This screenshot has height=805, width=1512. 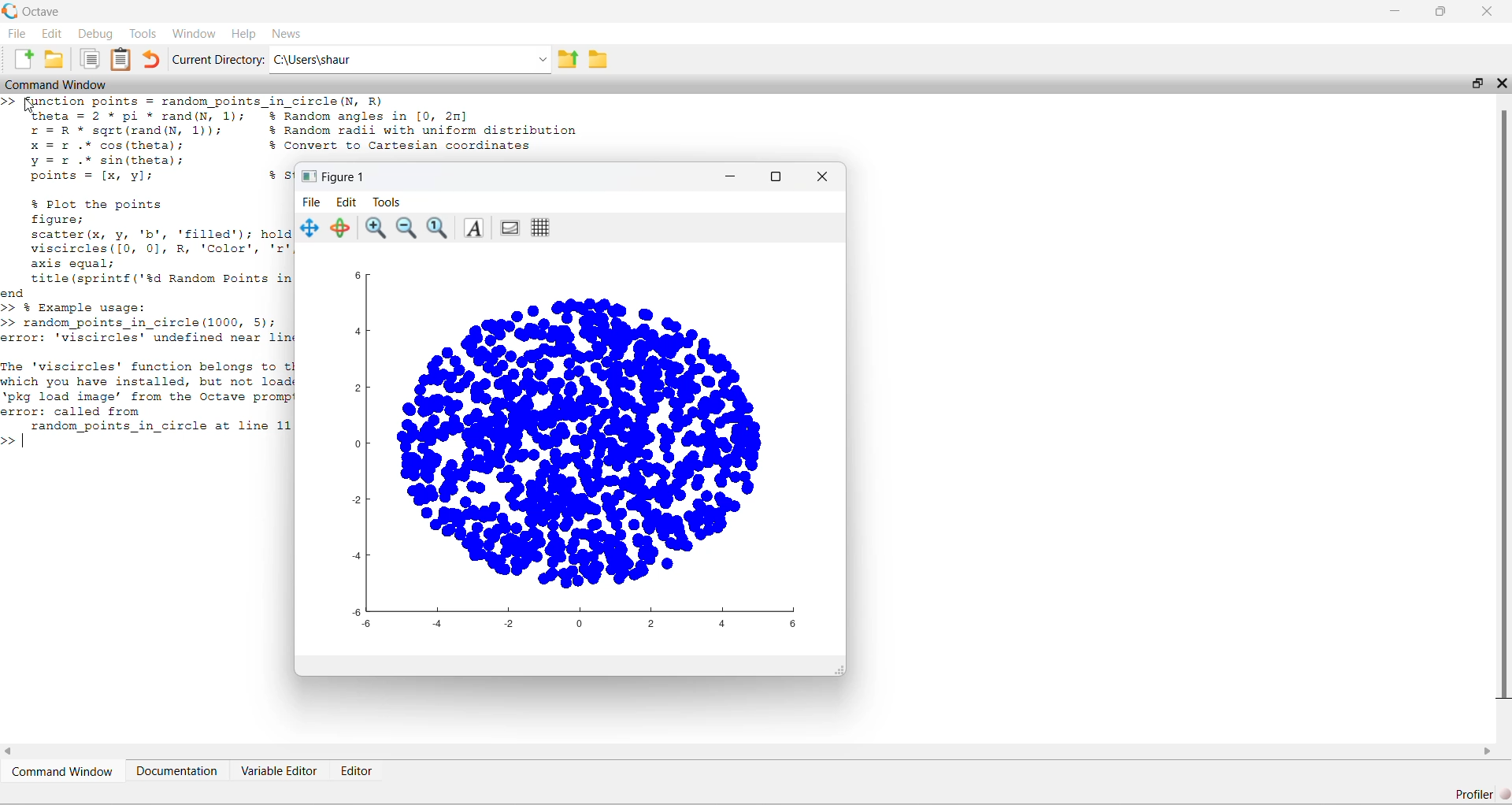 What do you see at coordinates (1477, 83) in the screenshot?
I see `restore` at bounding box center [1477, 83].